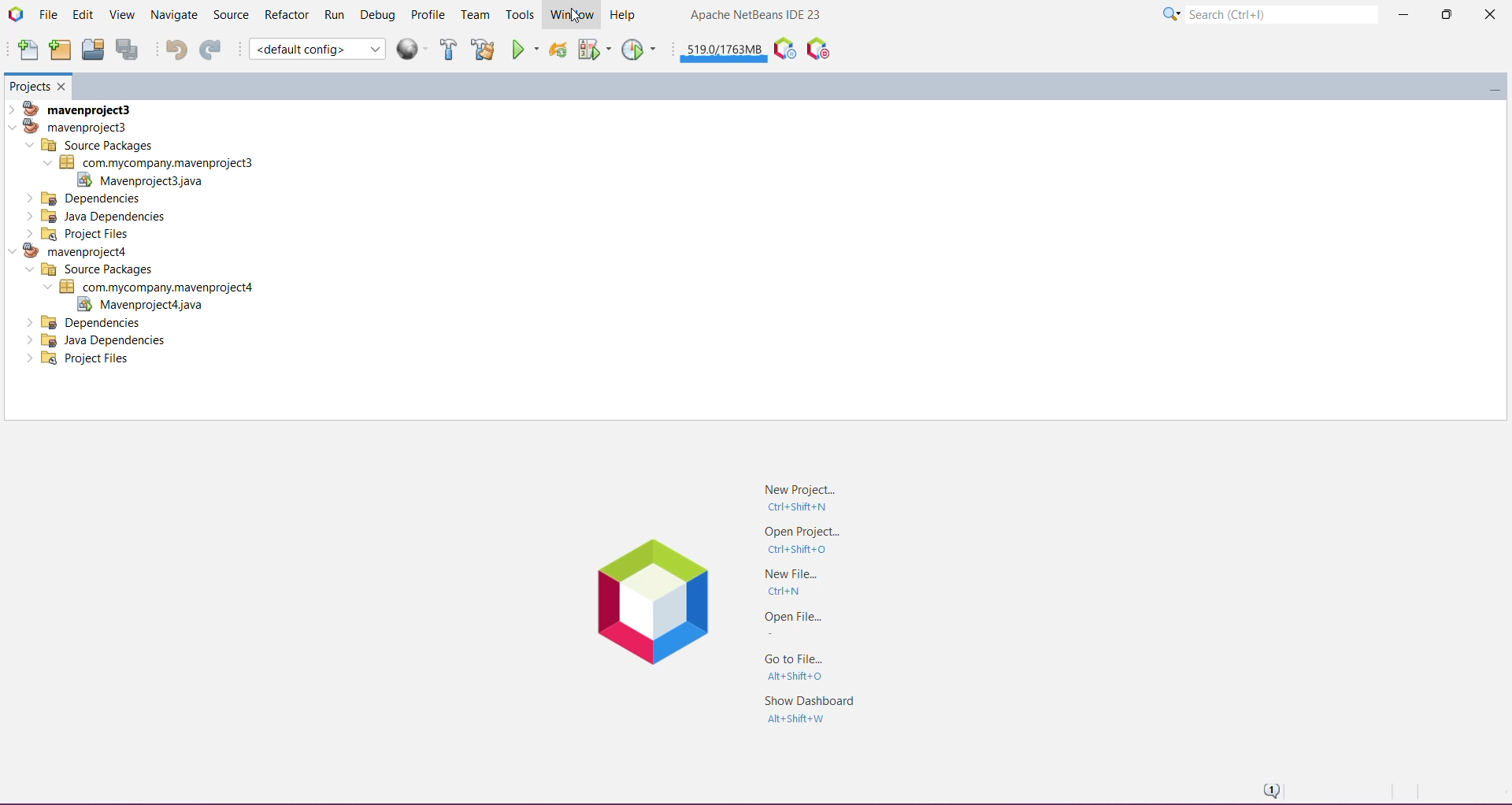 The width and height of the screenshot is (1512, 805). I want to click on Projects Window, so click(29, 85).